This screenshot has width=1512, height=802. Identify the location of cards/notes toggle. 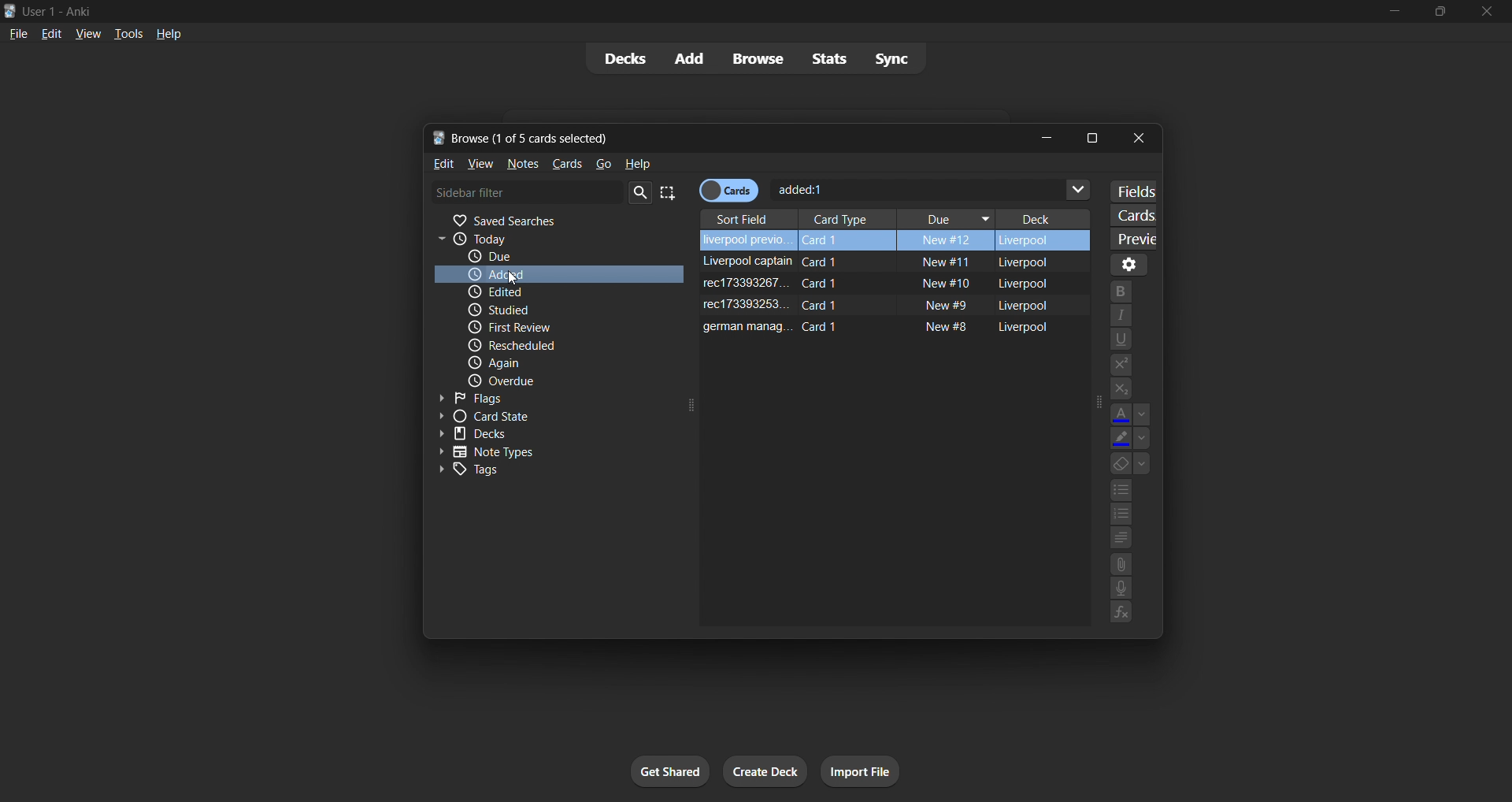
(734, 190).